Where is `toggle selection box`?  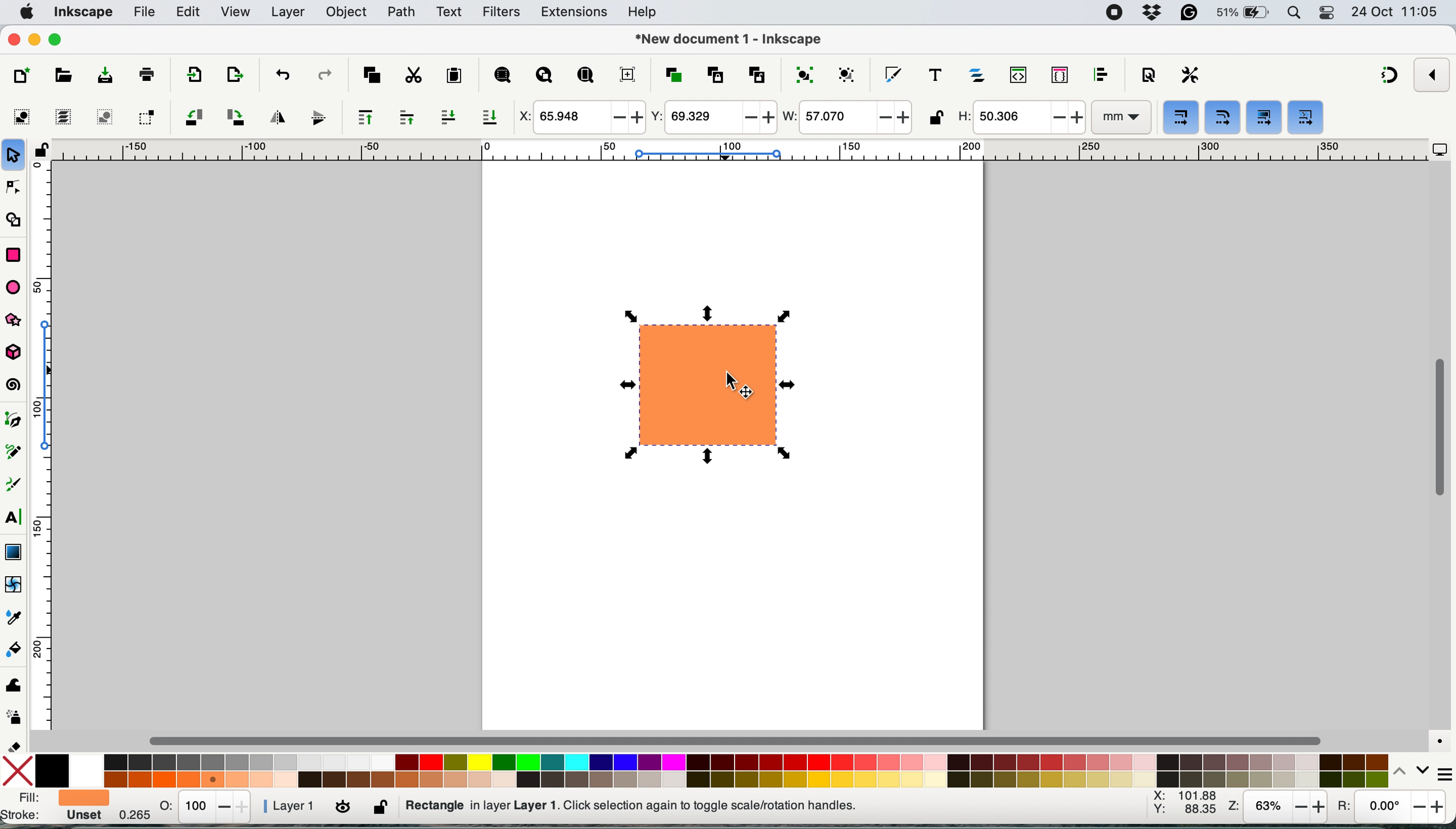 toggle selection box is located at coordinates (146, 116).